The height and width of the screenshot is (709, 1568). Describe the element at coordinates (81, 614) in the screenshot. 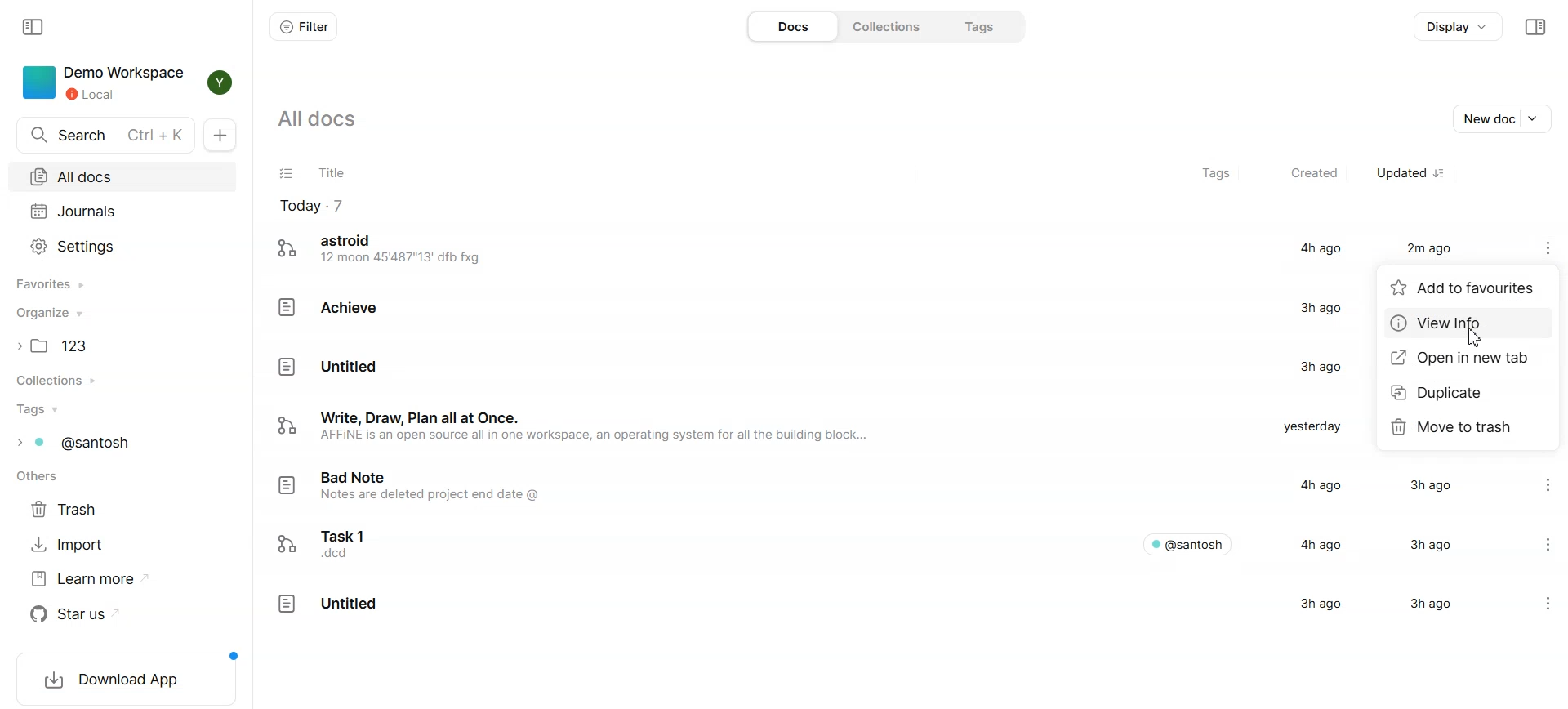

I see `Star us` at that location.